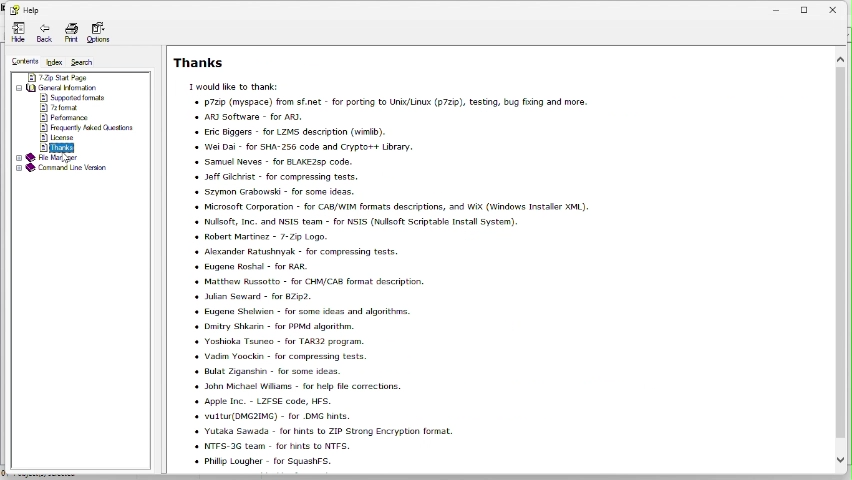 The image size is (852, 480). What do you see at coordinates (86, 60) in the screenshot?
I see `Search ` at bounding box center [86, 60].